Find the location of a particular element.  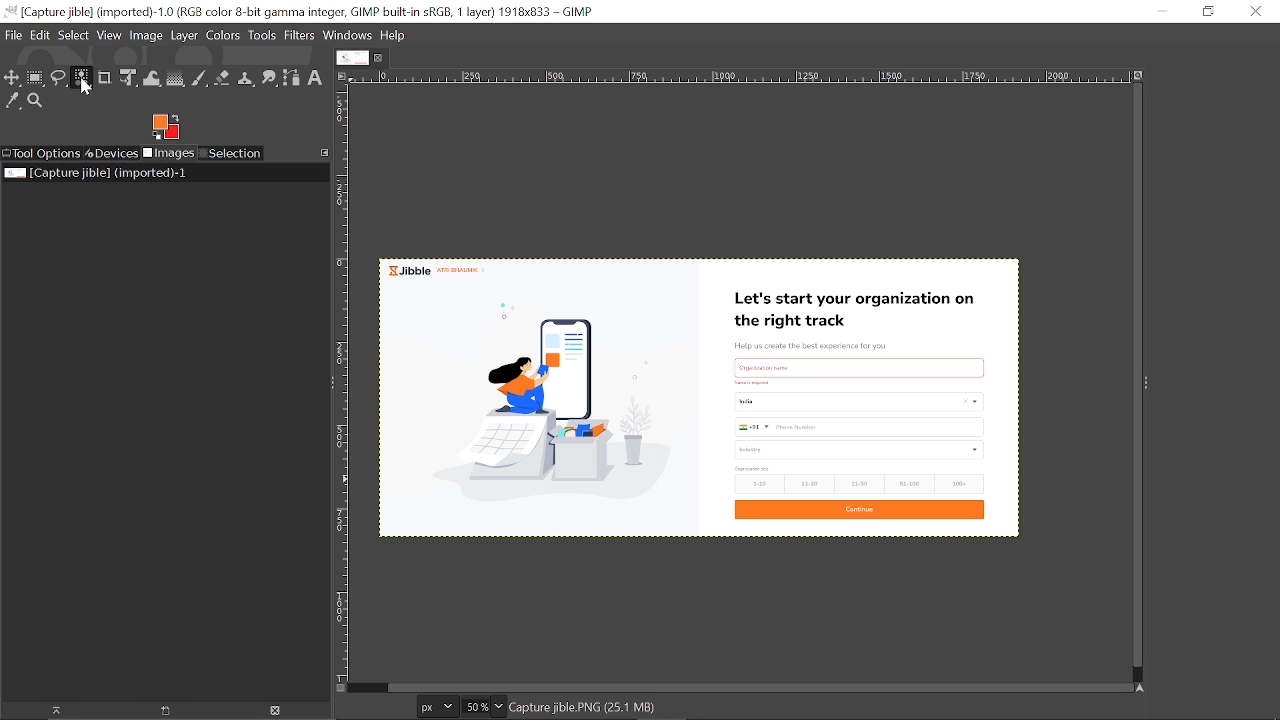

Close current tab is located at coordinates (383, 57).